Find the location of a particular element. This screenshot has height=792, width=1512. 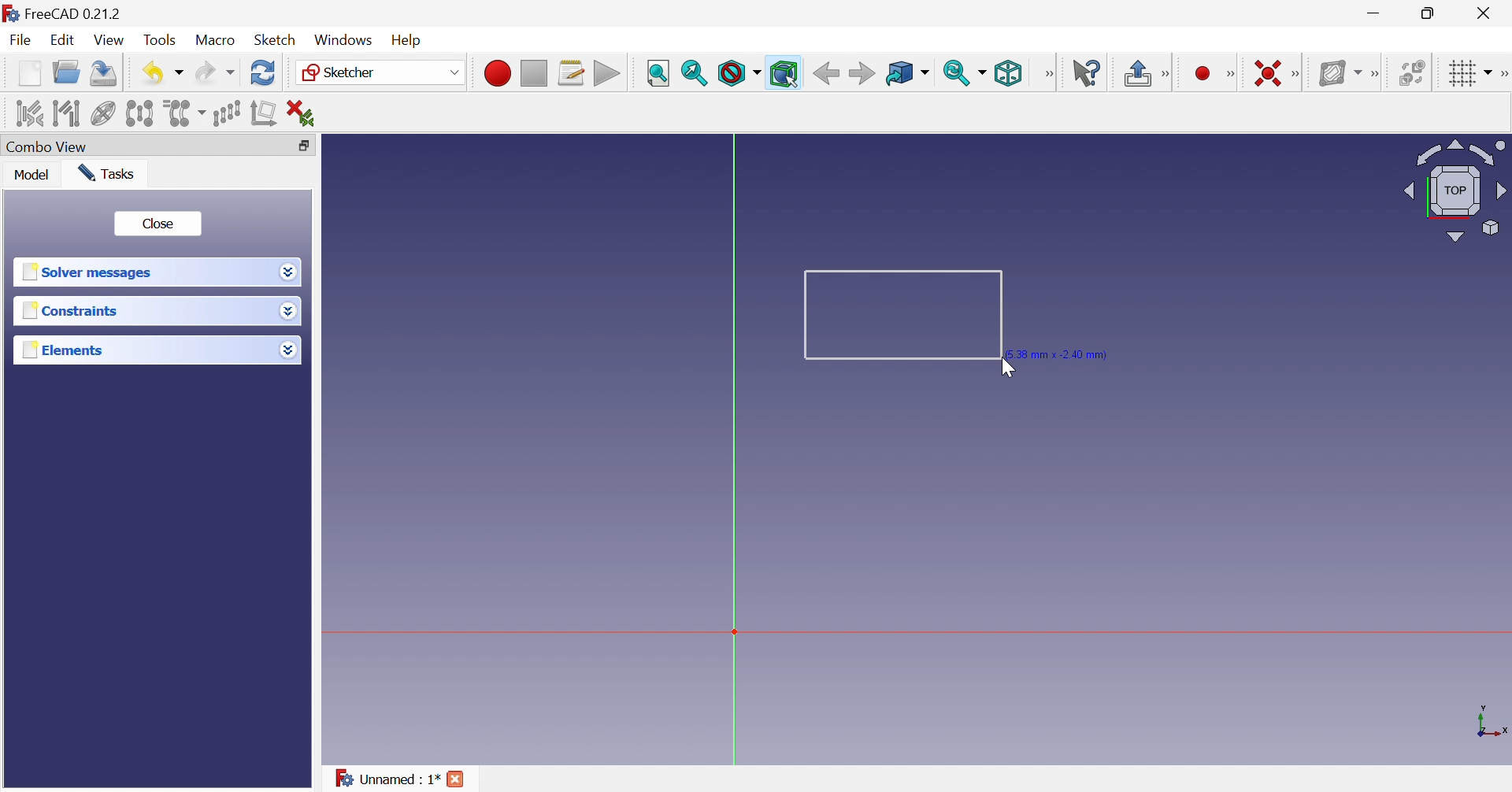

Close is located at coordinates (456, 778).